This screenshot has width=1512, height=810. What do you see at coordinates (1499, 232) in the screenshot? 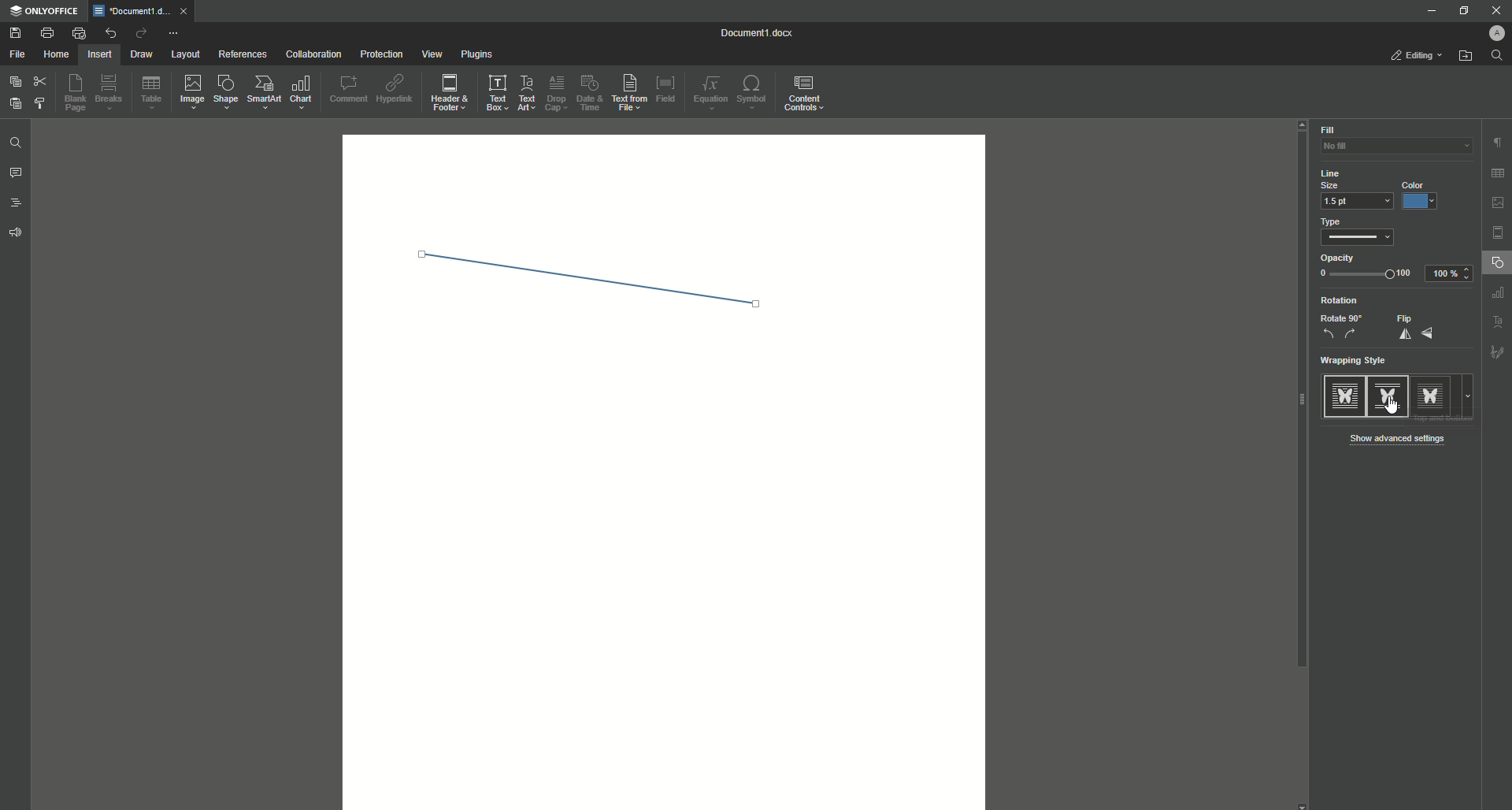
I see `page` at bounding box center [1499, 232].